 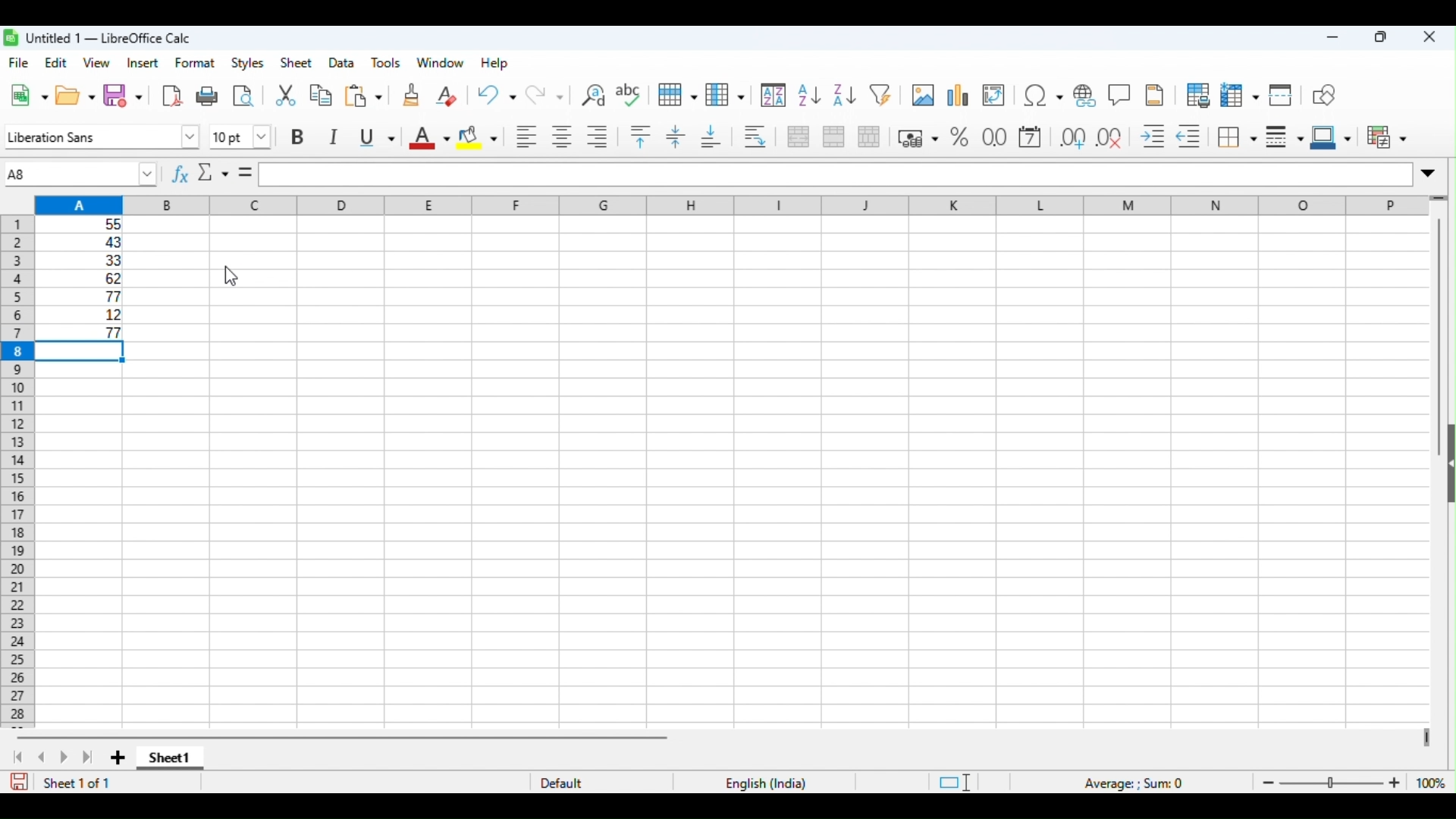 I want to click on background color, so click(x=478, y=137).